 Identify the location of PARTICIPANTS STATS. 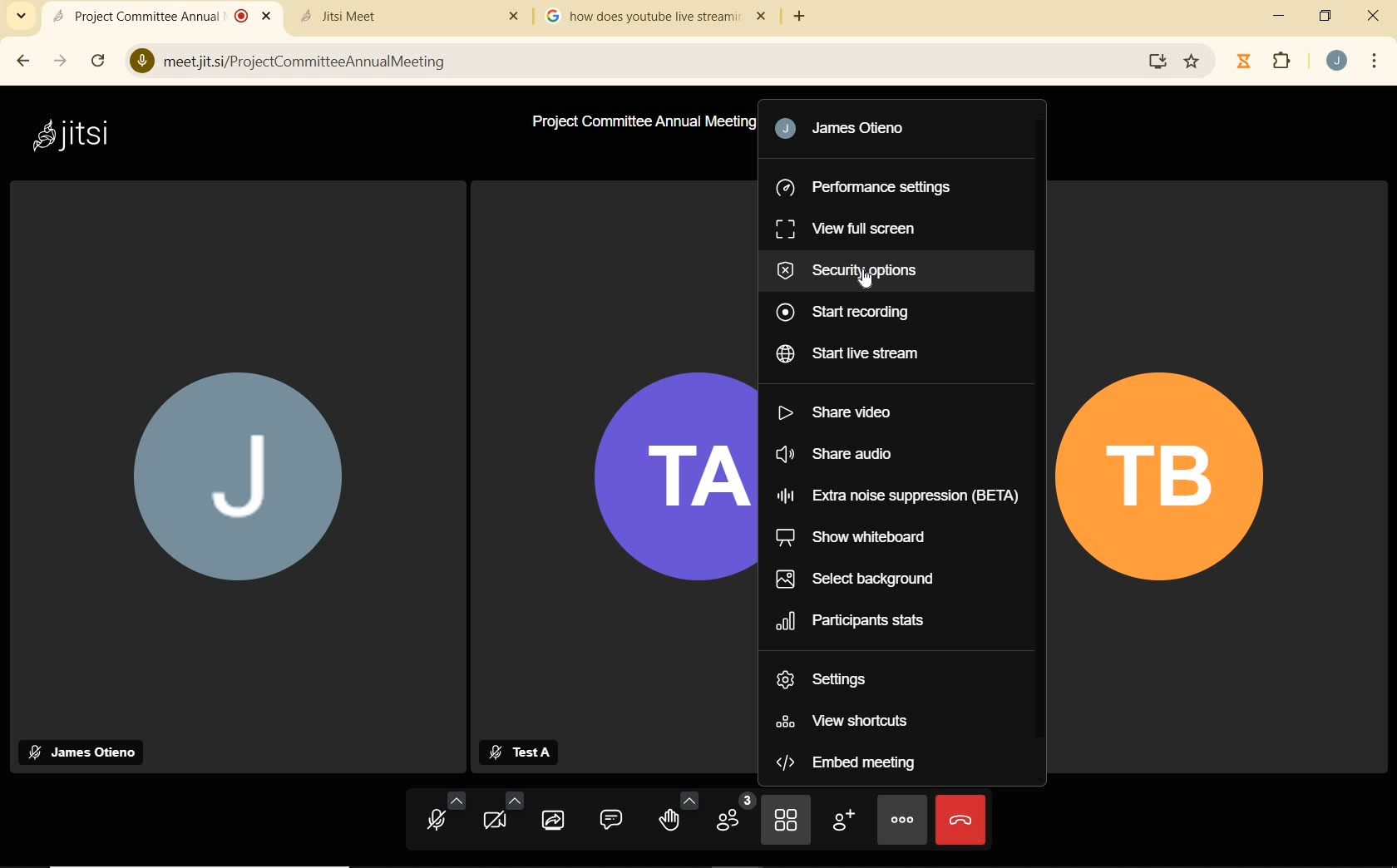
(863, 621).